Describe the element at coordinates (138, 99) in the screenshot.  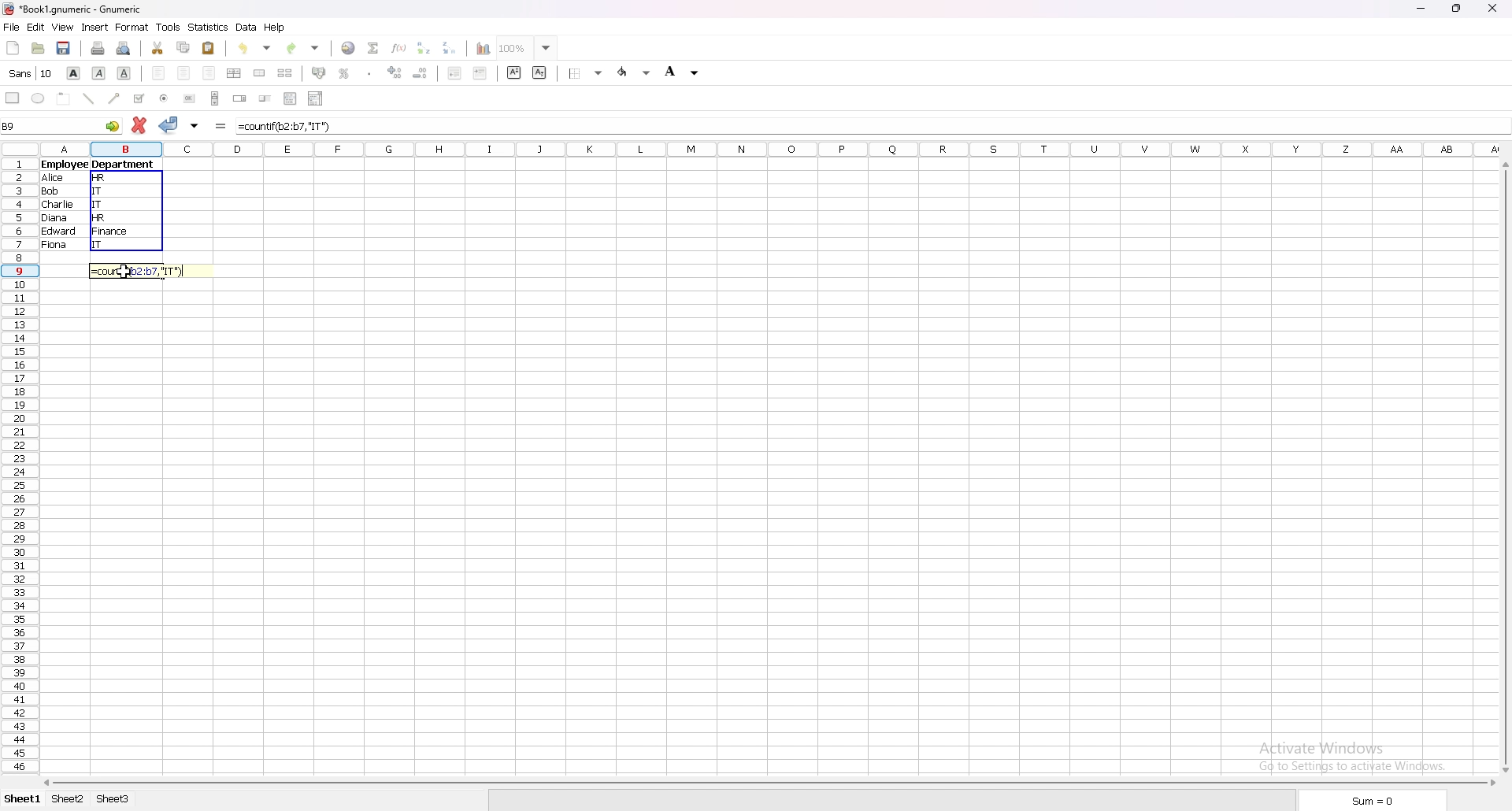
I see `tickbox` at that location.